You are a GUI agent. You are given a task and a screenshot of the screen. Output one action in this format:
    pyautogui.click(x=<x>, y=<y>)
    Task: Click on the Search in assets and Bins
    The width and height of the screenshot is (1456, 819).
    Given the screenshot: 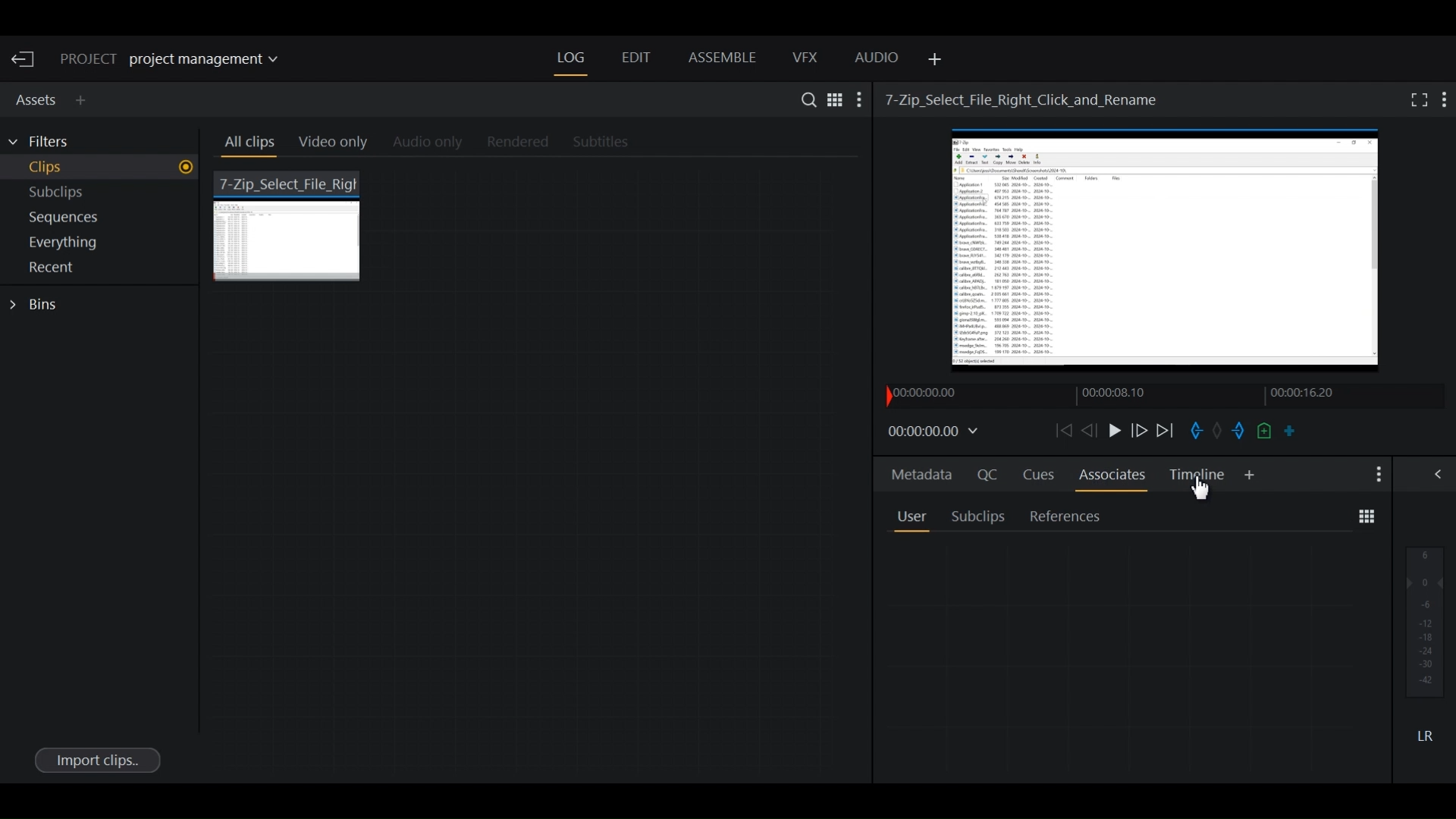 What is the action you would take?
    pyautogui.click(x=805, y=99)
    